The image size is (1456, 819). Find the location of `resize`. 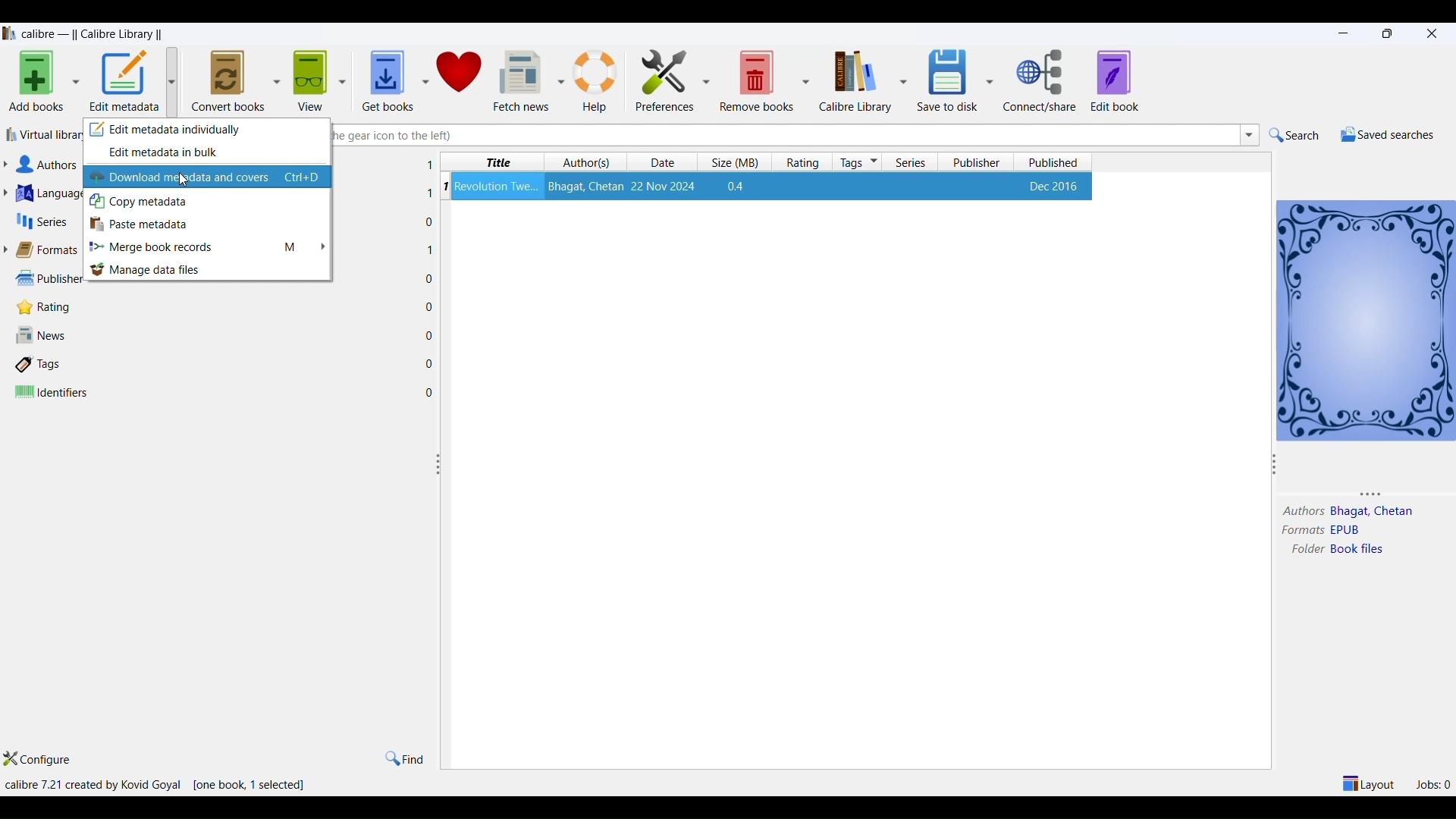

resize is located at coordinates (1275, 463).